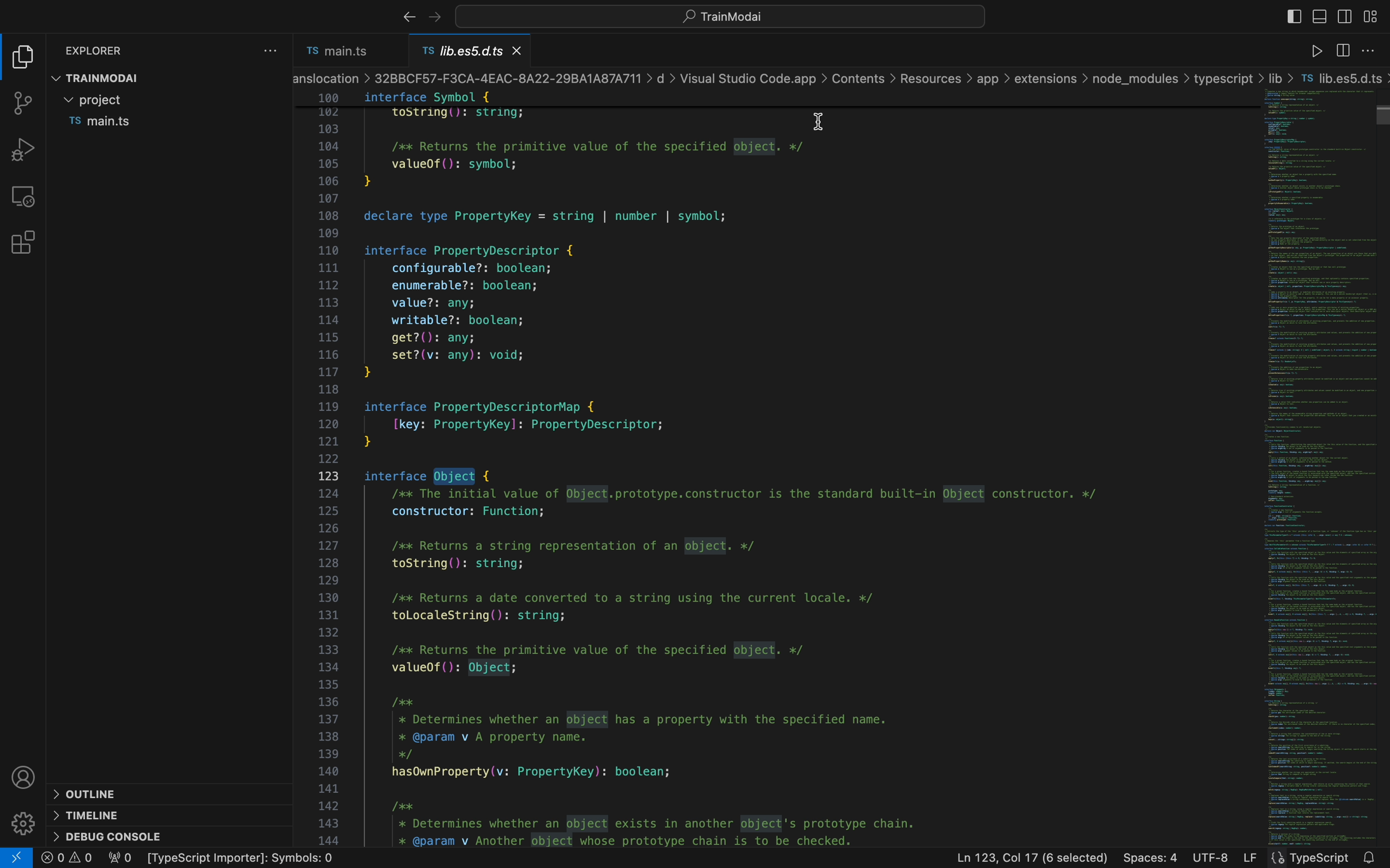  Describe the element at coordinates (1373, 857) in the screenshot. I see `notification` at that location.